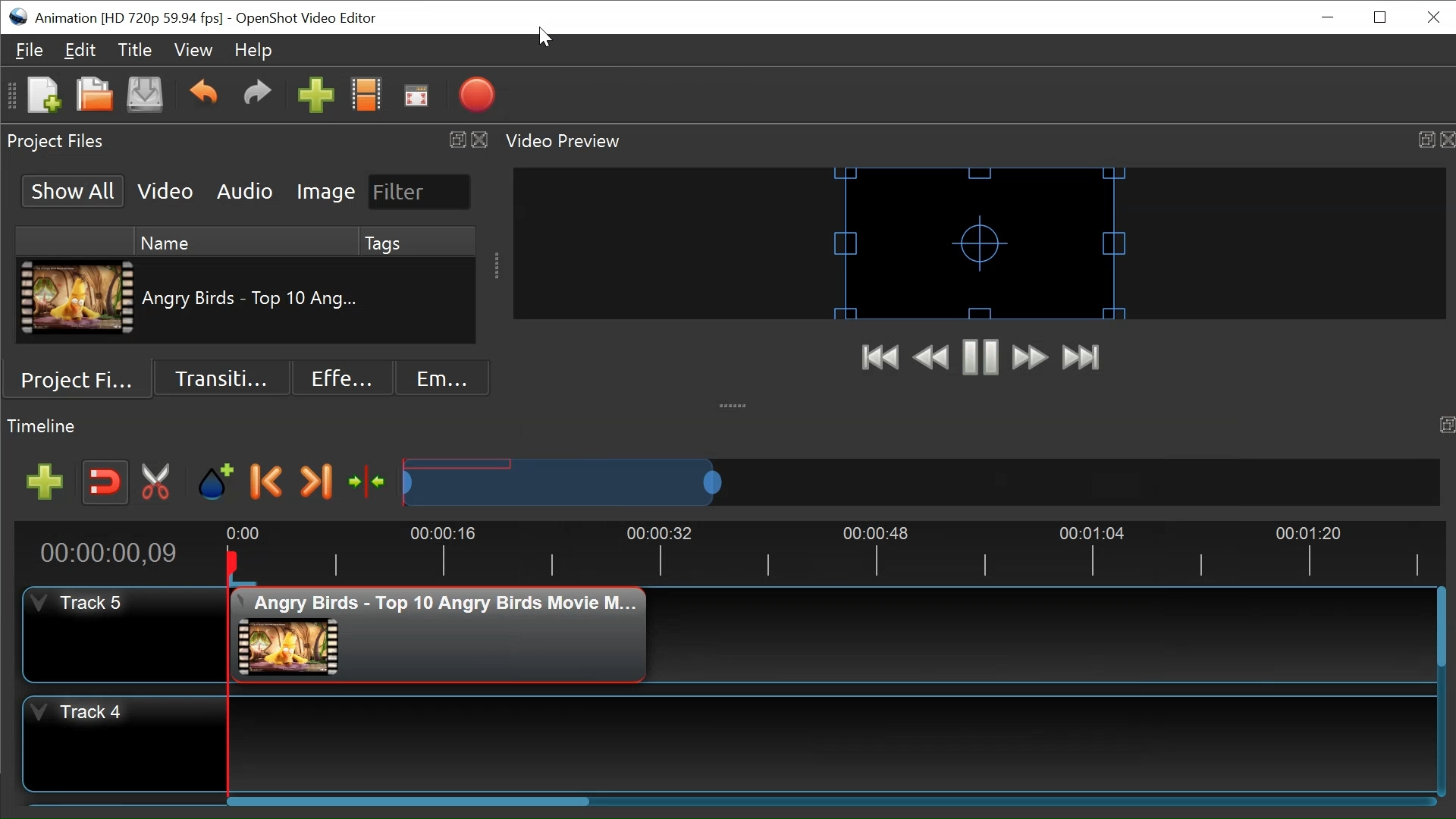  What do you see at coordinates (1081, 358) in the screenshot?
I see `Jump to Last` at bounding box center [1081, 358].